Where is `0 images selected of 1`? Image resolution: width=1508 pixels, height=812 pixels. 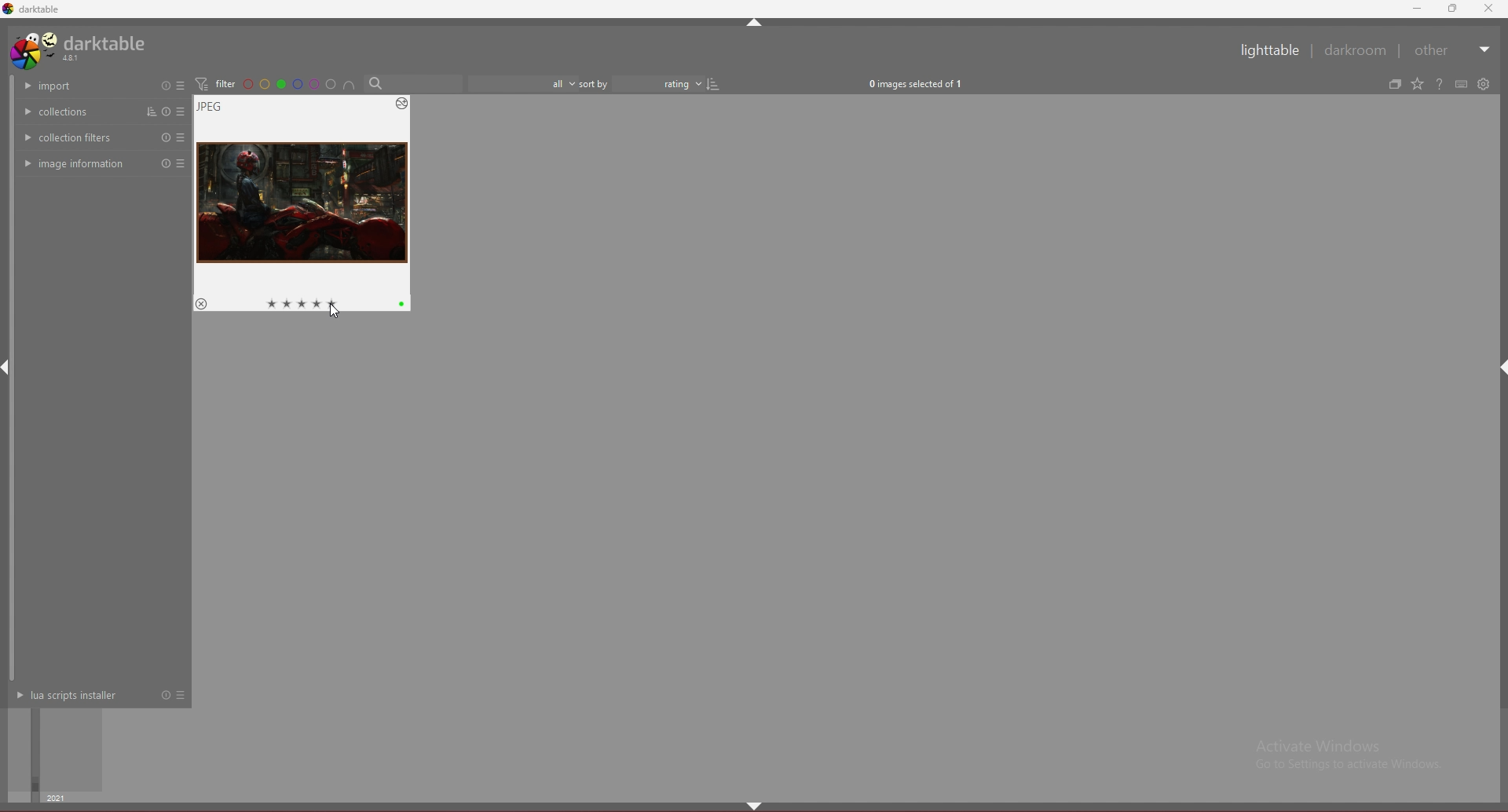 0 images selected of 1 is located at coordinates (916, 84).